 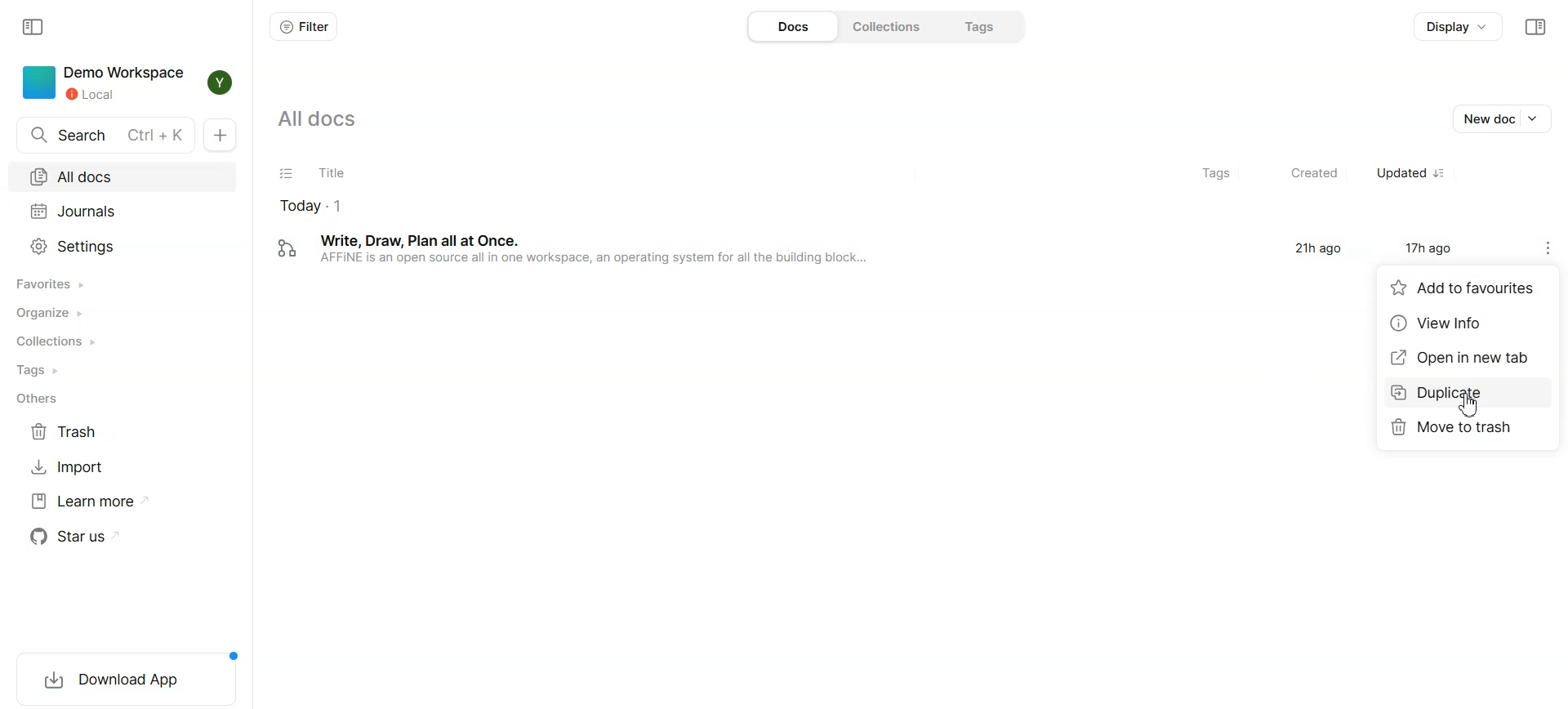 I want to click on Journals, so click(x=122, y=211).